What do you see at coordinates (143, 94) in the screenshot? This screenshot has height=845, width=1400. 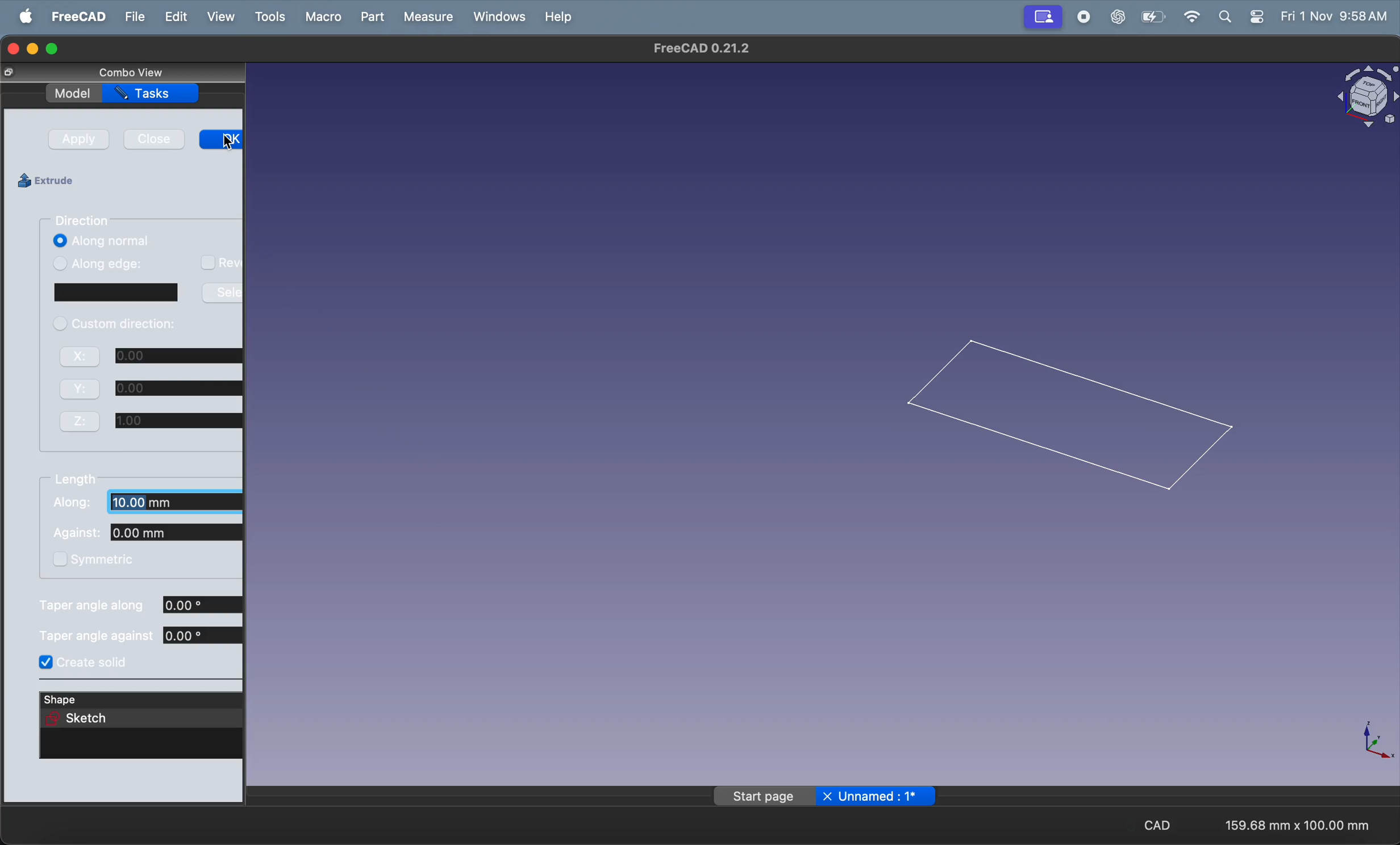 I see `tasks` at bounding box center [143, 94].